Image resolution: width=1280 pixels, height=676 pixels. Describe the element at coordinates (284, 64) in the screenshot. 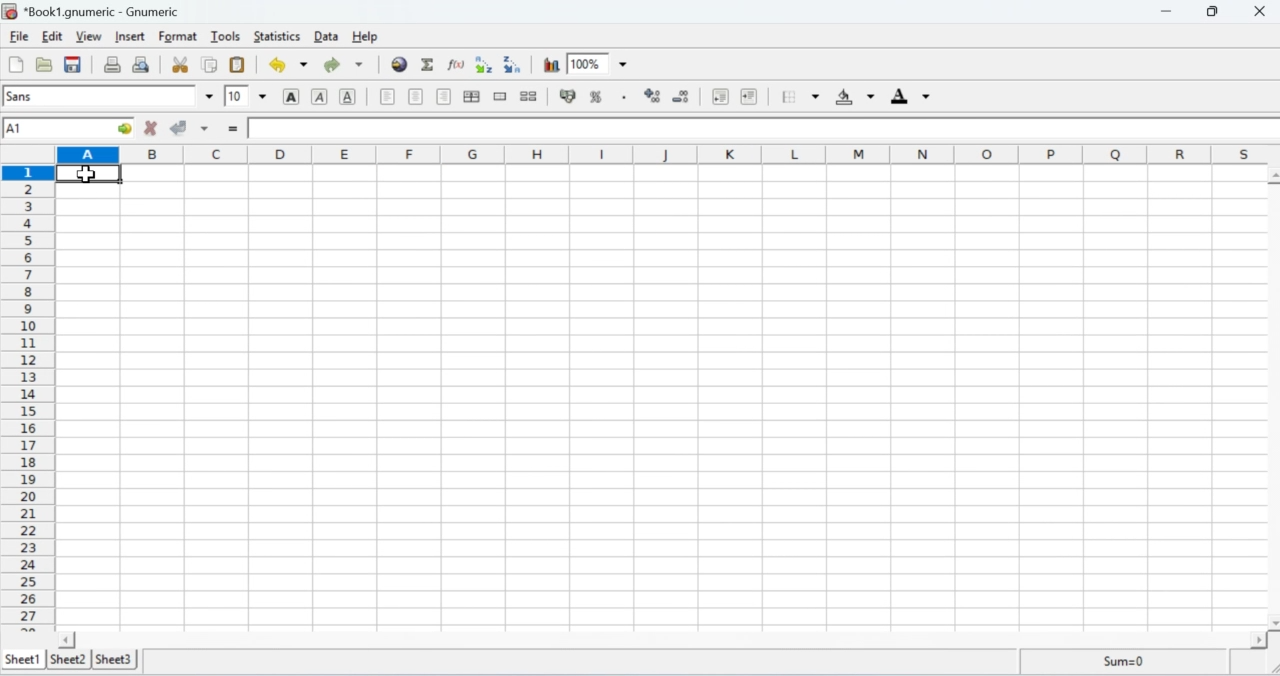

I see `Undo` at that location.